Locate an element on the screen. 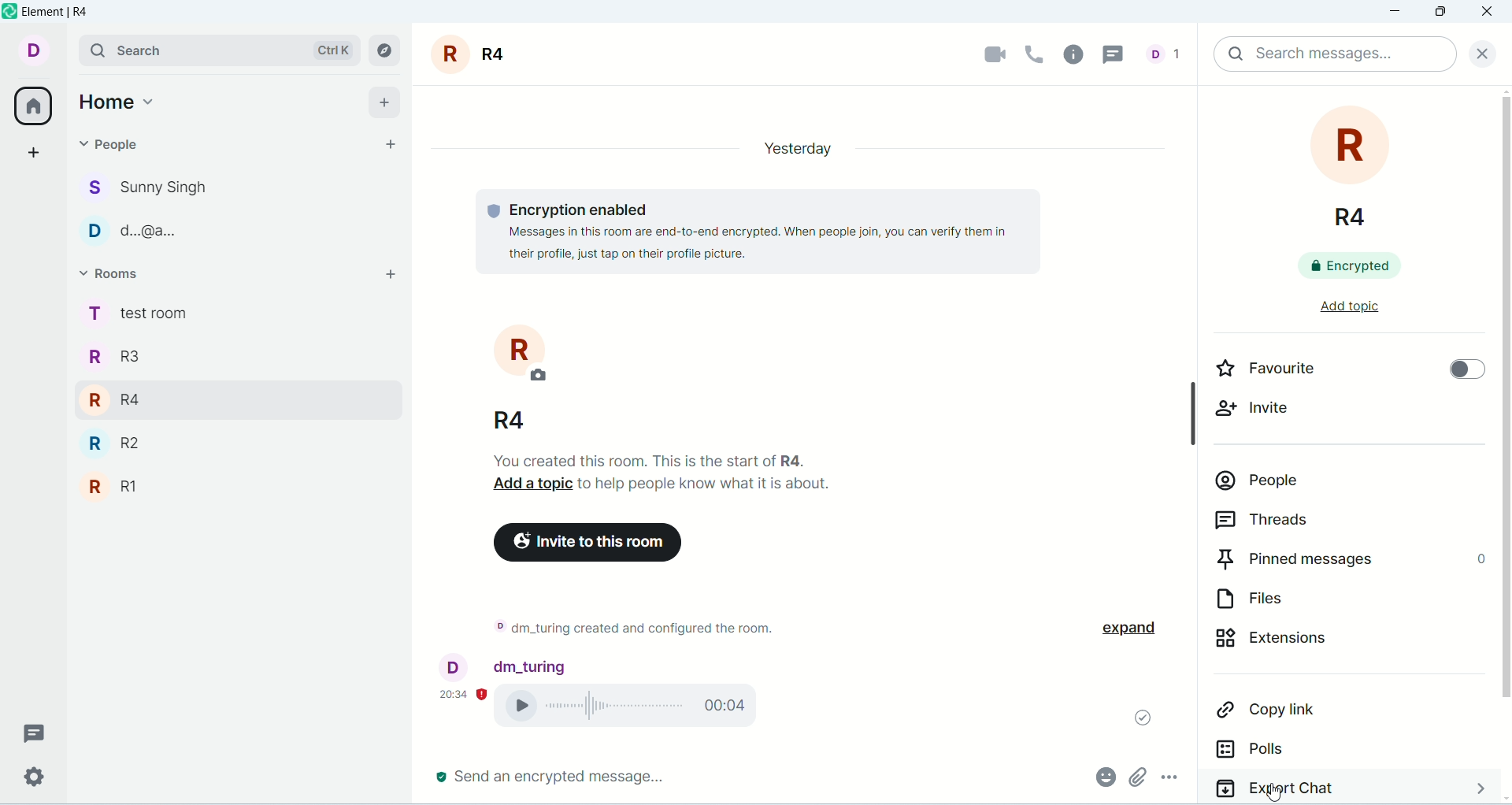 The image size is (1512, 805). logo is located at coordinates (9, 11).